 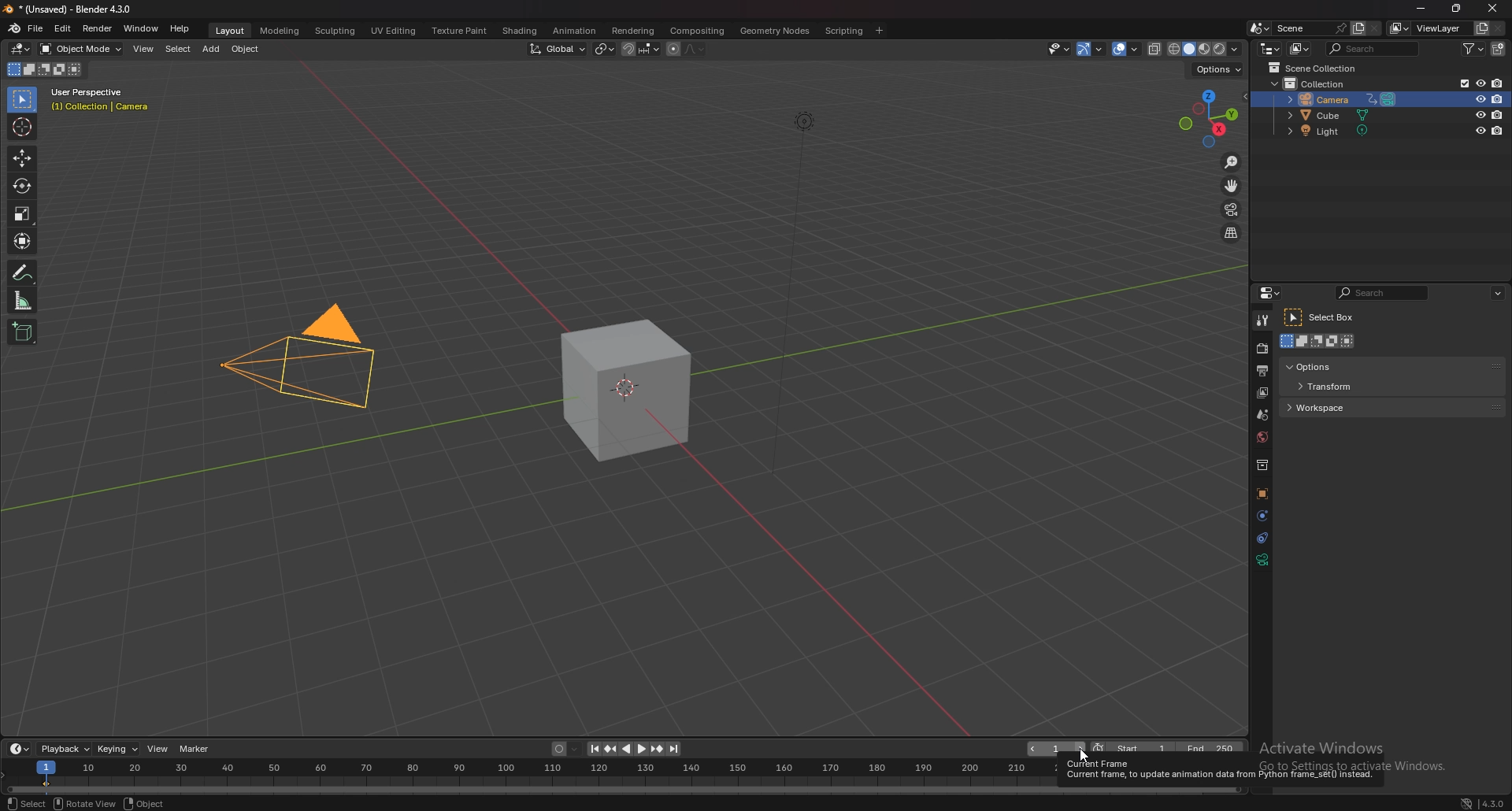 What do you see at coordinates (1499, 48) in the screenshot?
I see `add collection` at bounding box center [1499, 48].